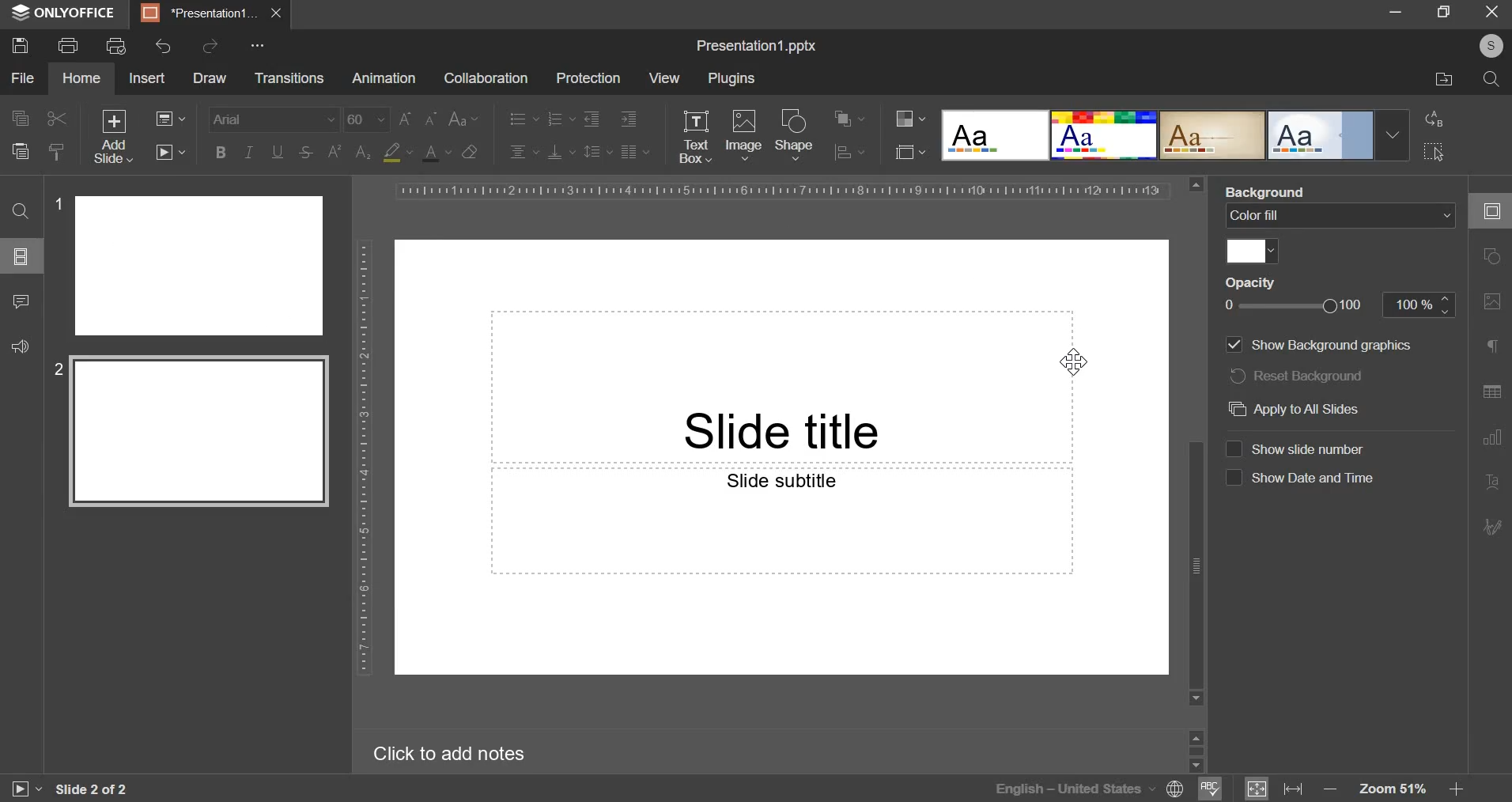 This screenshot has height=802, width=1512. Describe the element at coordinates (1195, 749) in the screenshot. I see `slider` at that location.